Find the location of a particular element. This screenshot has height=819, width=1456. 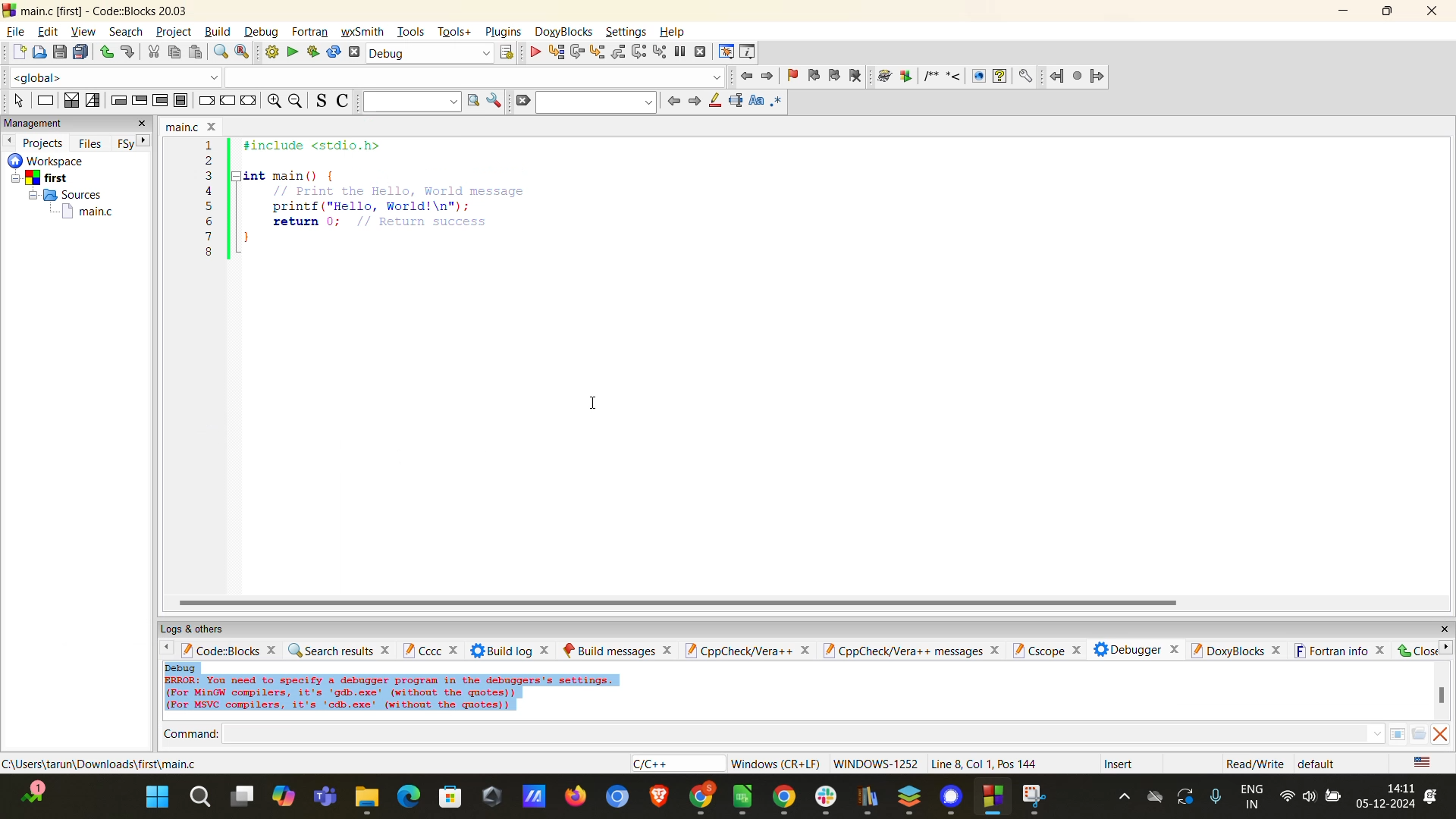

decision is located at coordinates (71, 101).